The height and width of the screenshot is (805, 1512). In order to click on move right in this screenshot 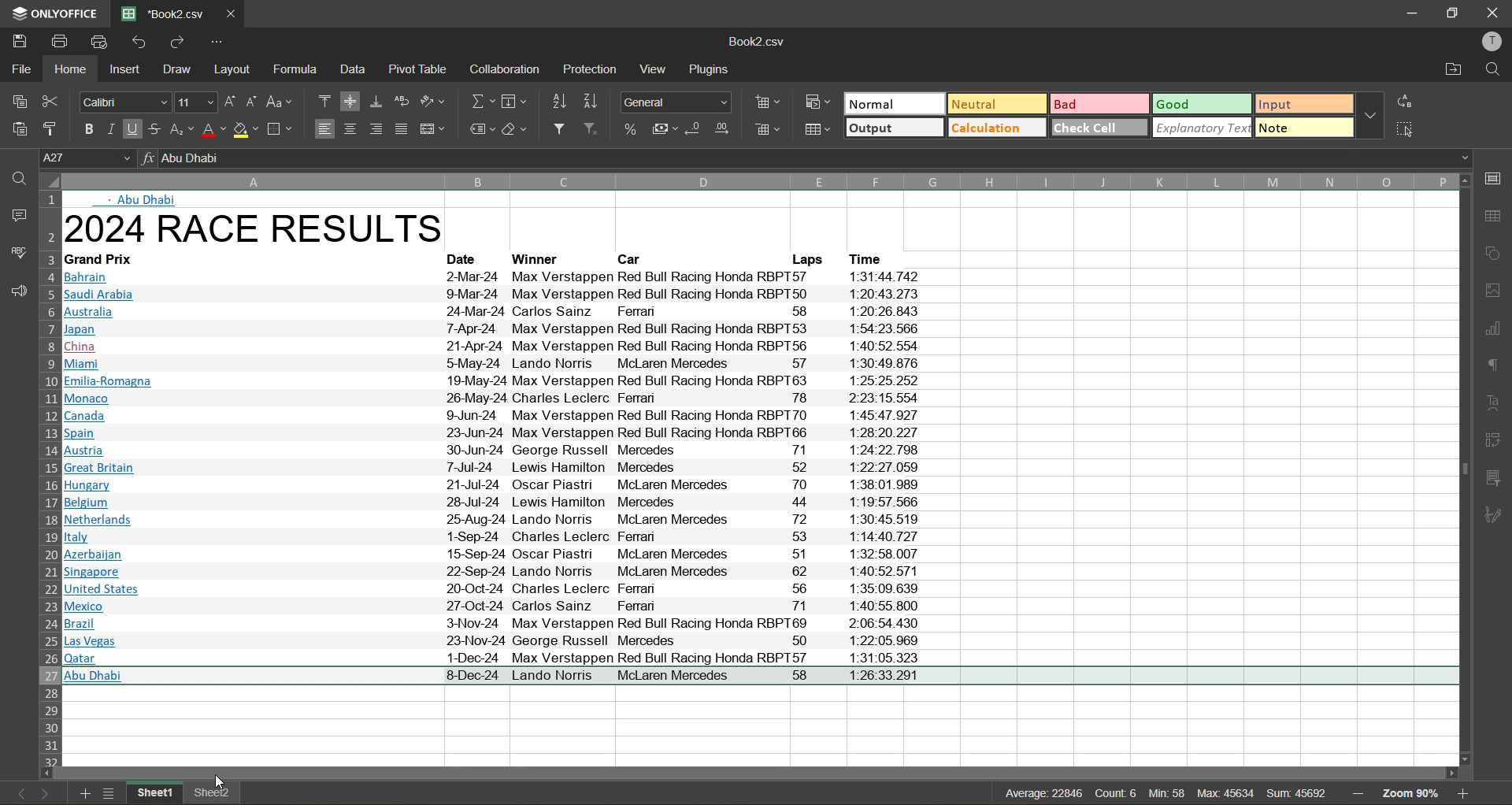, I will do `click(1450, 772)`.